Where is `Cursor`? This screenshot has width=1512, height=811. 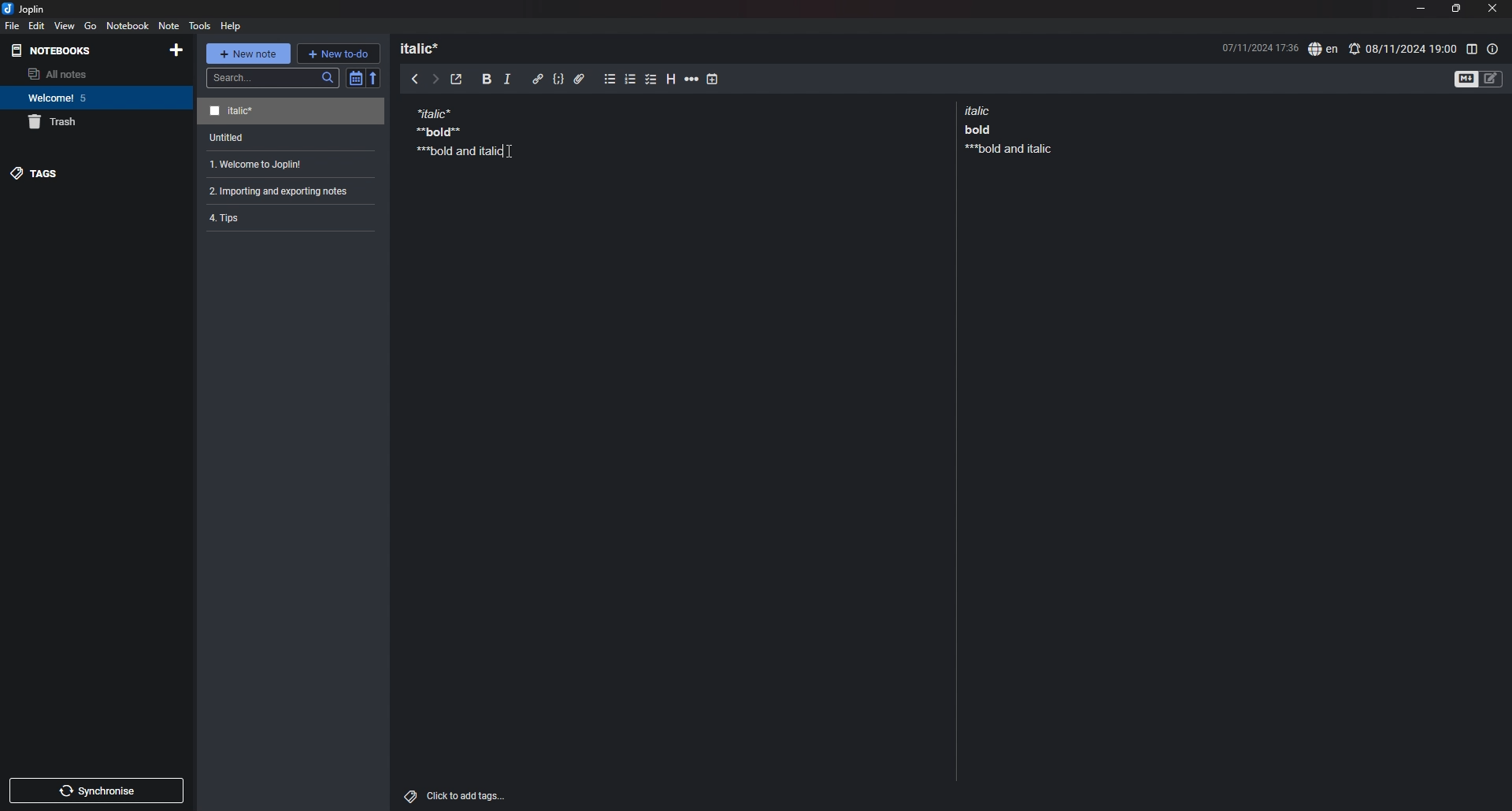
Cursor is located at coordinates (510, 151).